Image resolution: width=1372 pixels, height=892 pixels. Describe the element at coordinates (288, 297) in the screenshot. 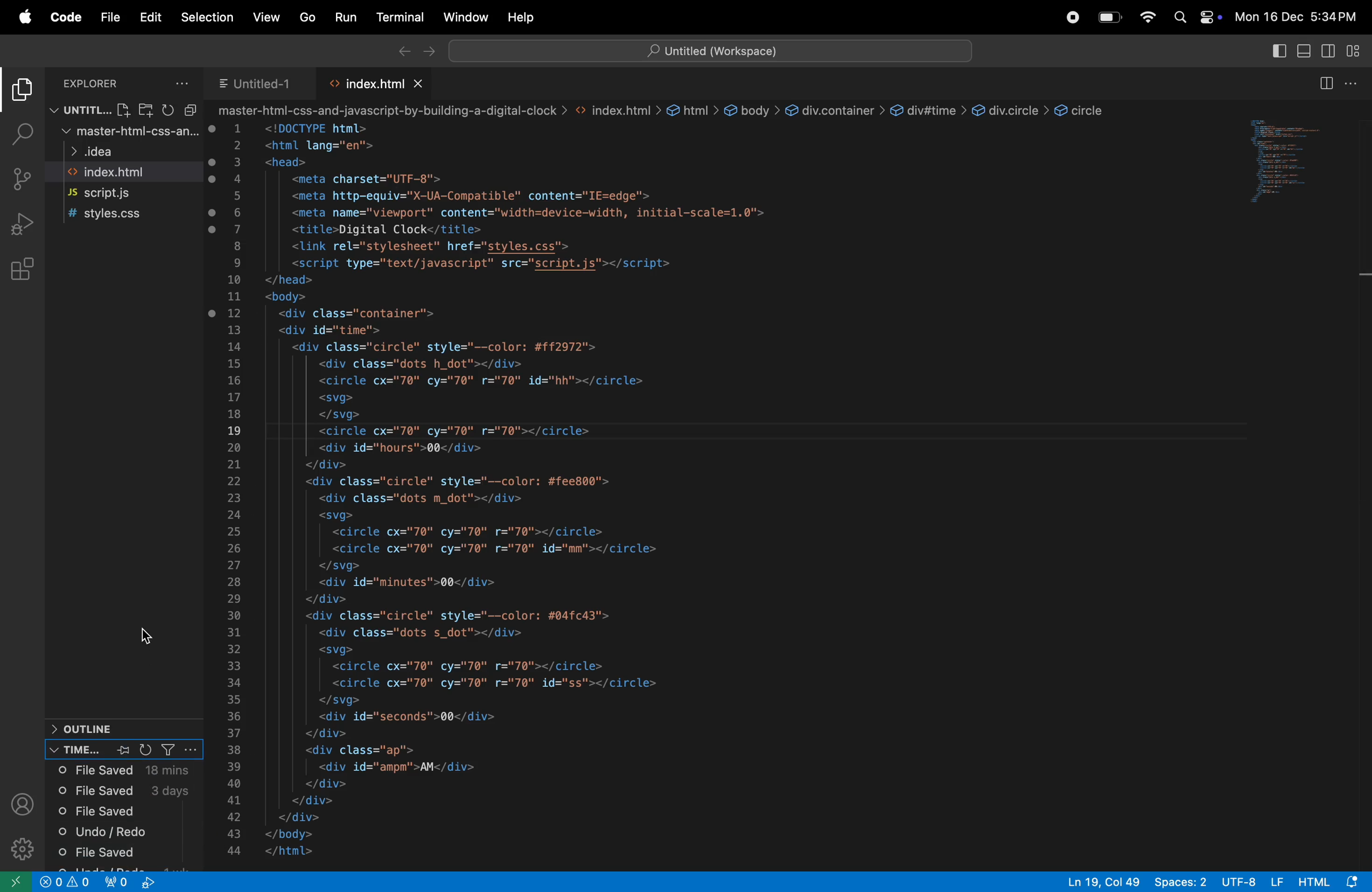

I see `<body>` at that location.